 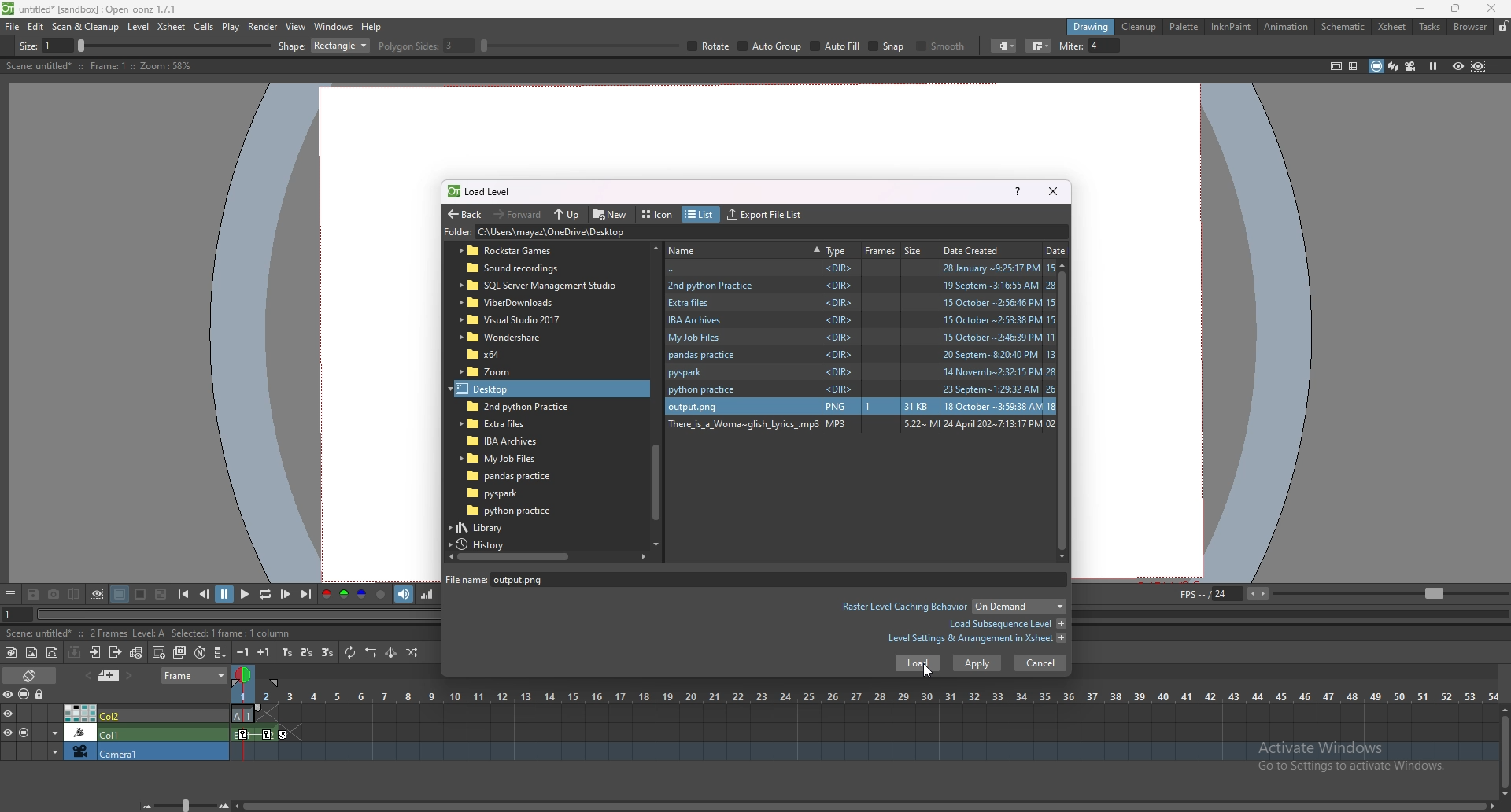 What do you see at coordinates (896, 46) in the screenshot?
I see `rotate bar` at bounding box center [896, 46].